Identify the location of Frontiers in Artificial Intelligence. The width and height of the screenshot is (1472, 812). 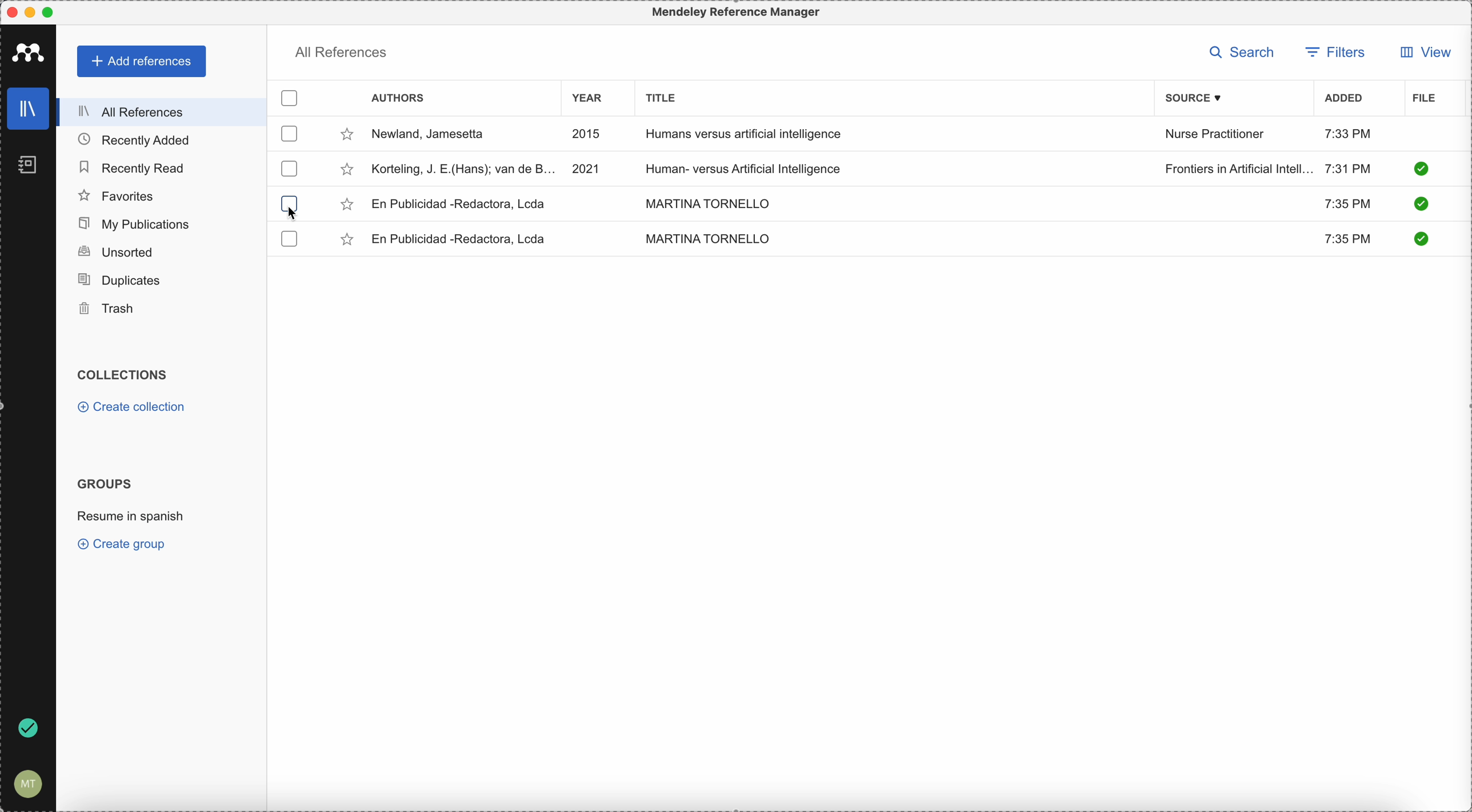
(1238, 169).